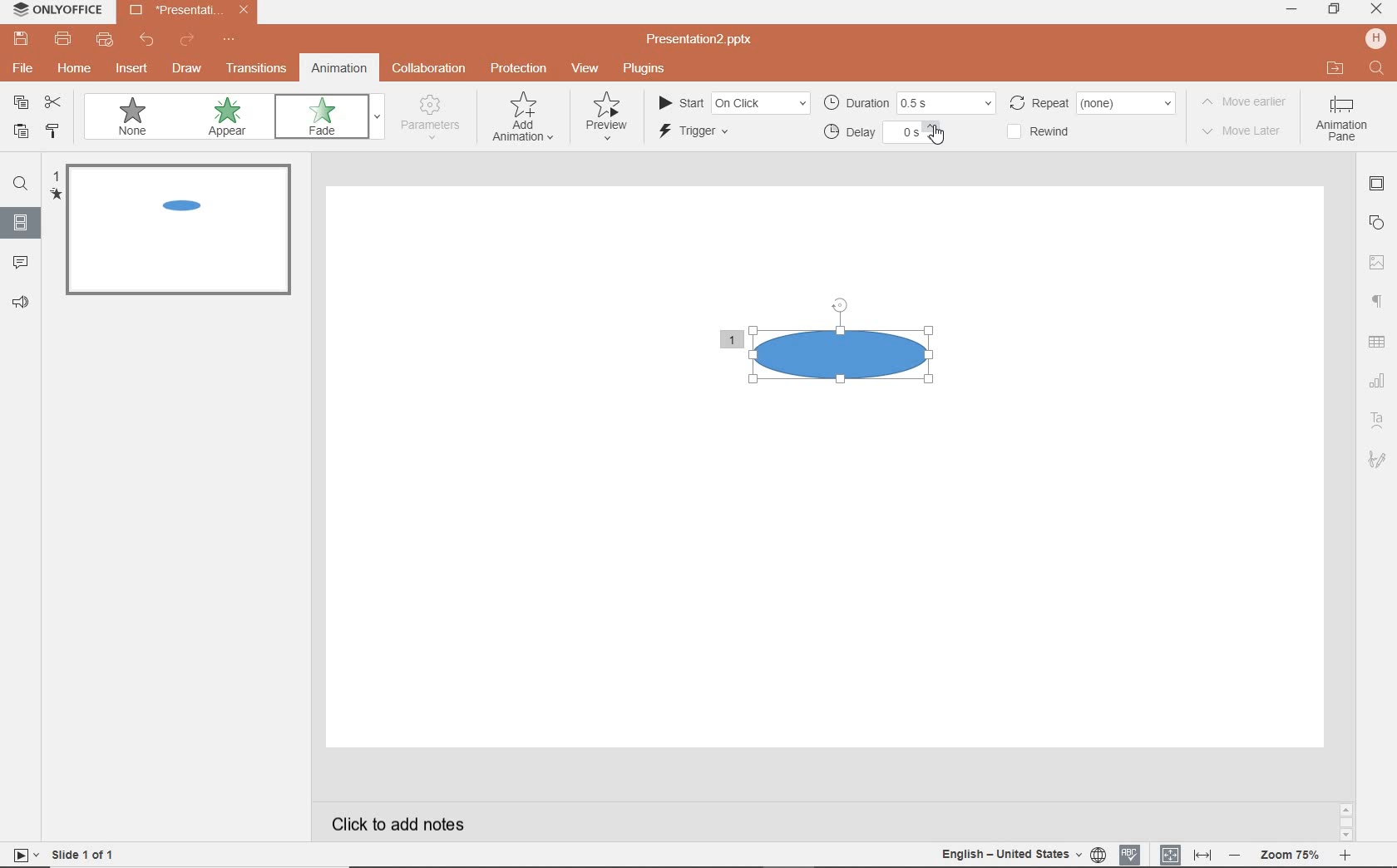  Describe the element at coordinates (911, 102) in the screenshot. I see `duration` at that location.